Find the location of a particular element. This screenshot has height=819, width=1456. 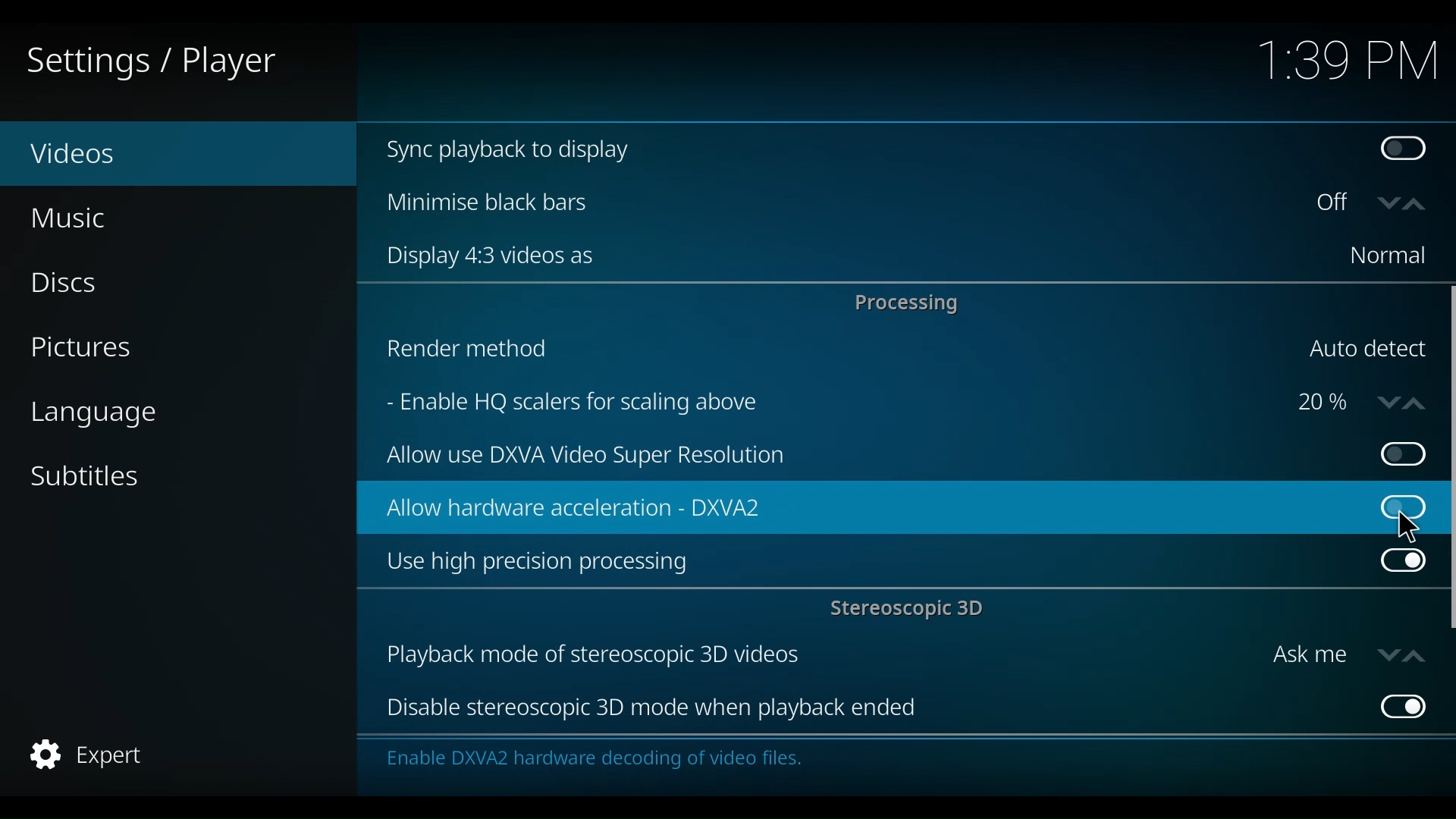

Videos is located at coordinates (106, 155).